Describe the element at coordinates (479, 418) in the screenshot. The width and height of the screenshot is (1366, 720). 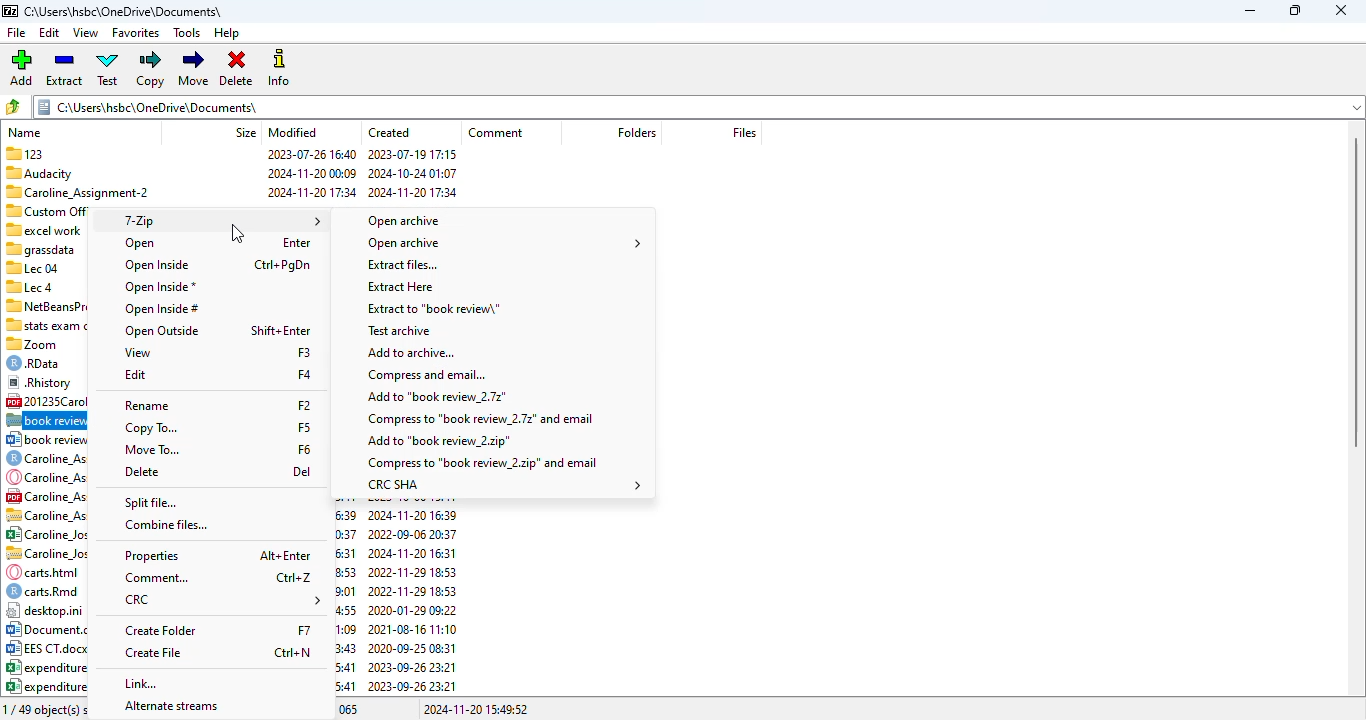
I see `compress to .7z file and email` at that location.